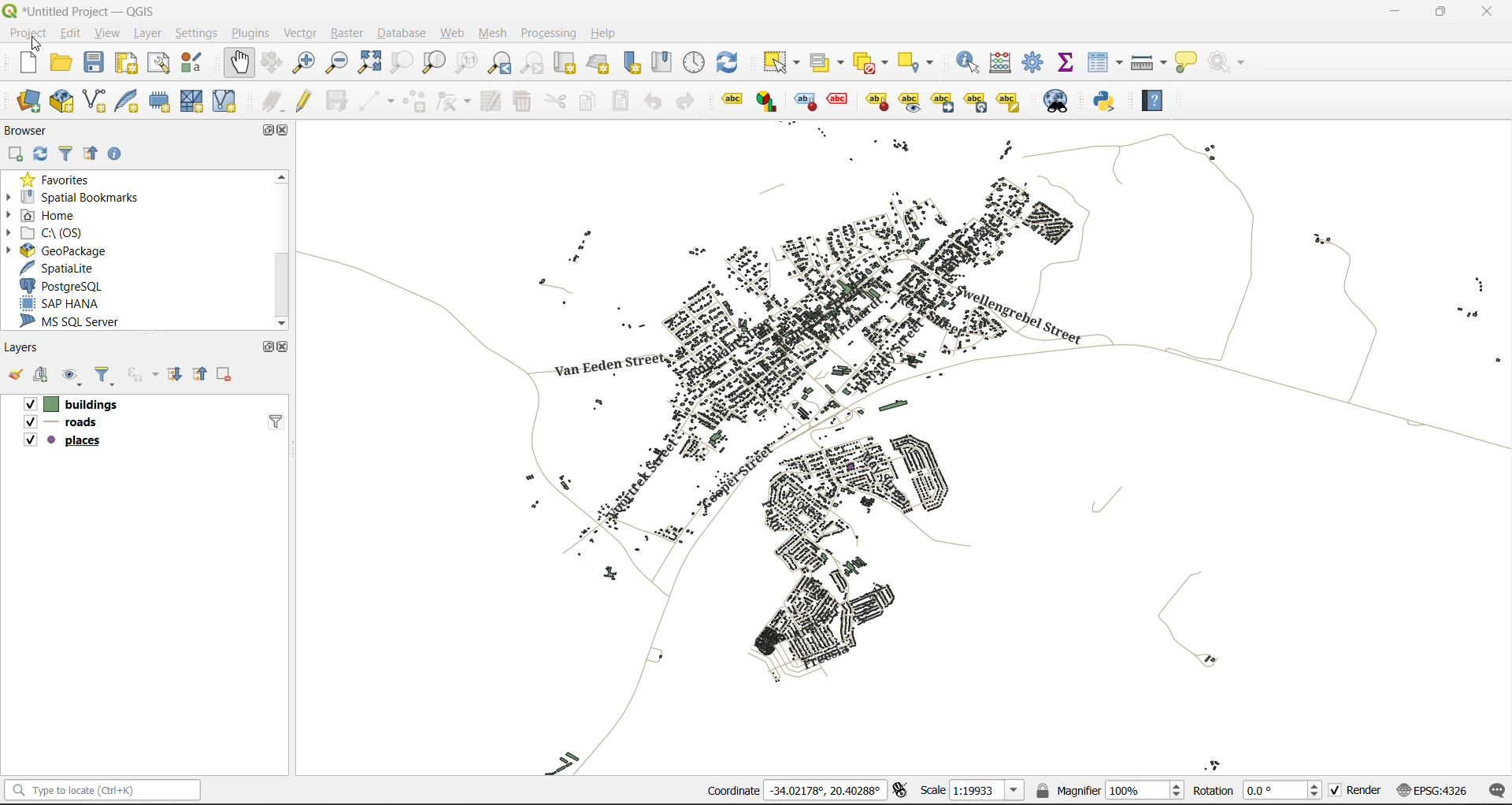  I want to click on paste, so click(619, 101).